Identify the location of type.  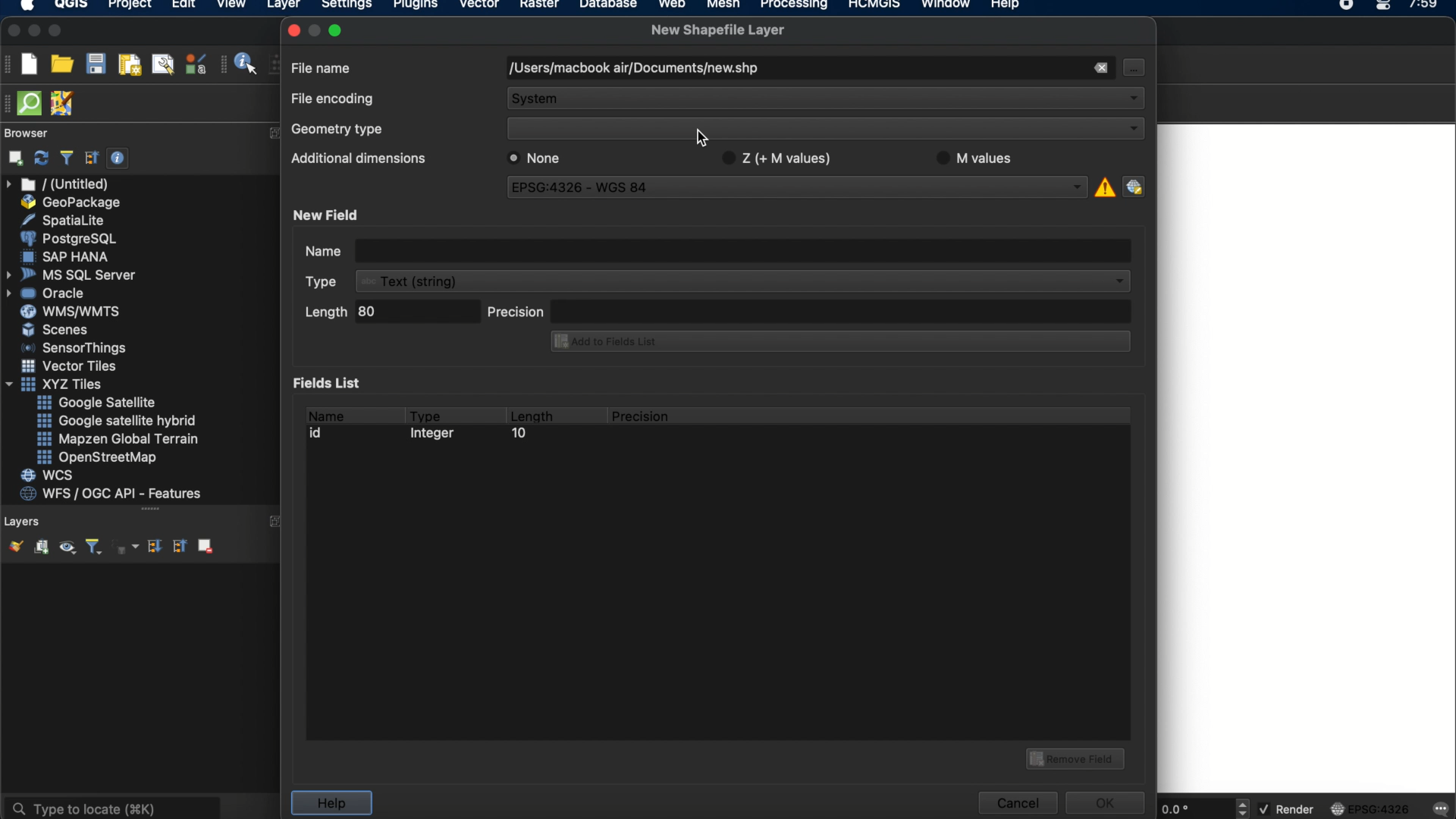
(426, 413).